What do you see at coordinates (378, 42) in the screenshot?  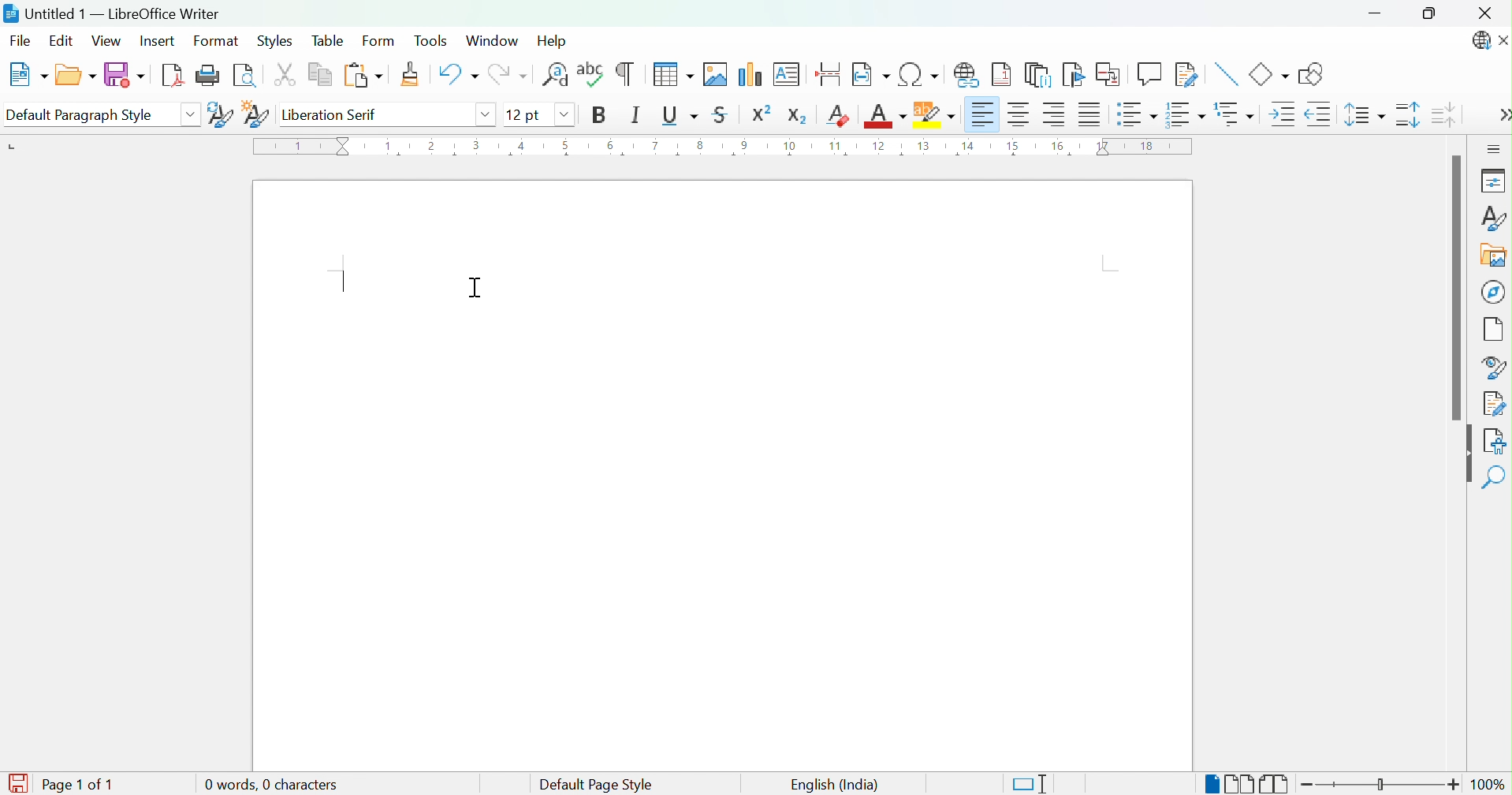 I see `Form` at bounding box center [378, 42].